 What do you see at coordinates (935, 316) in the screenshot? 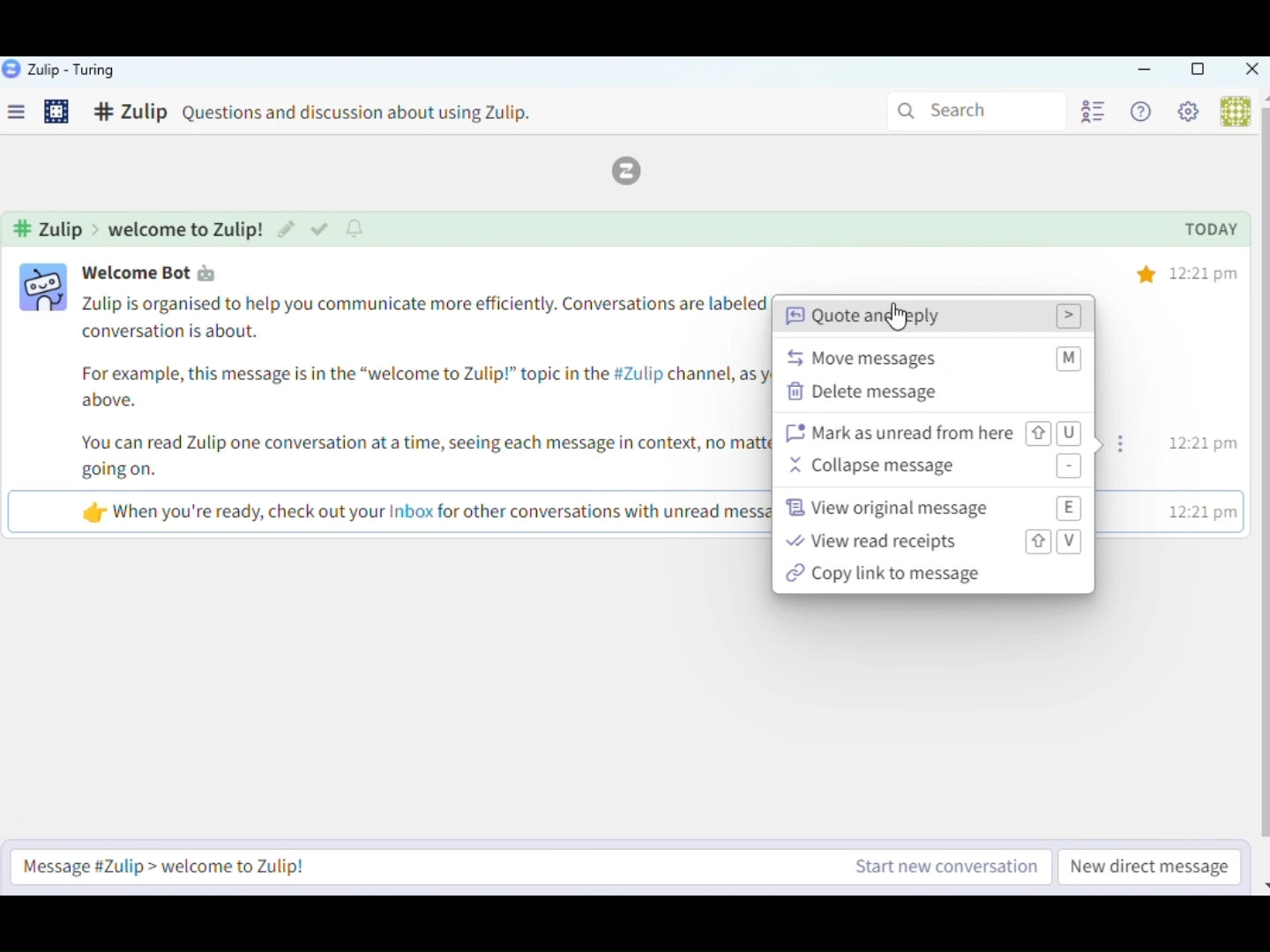
I see `Quote and Reply` at bounding box center [935, 316].